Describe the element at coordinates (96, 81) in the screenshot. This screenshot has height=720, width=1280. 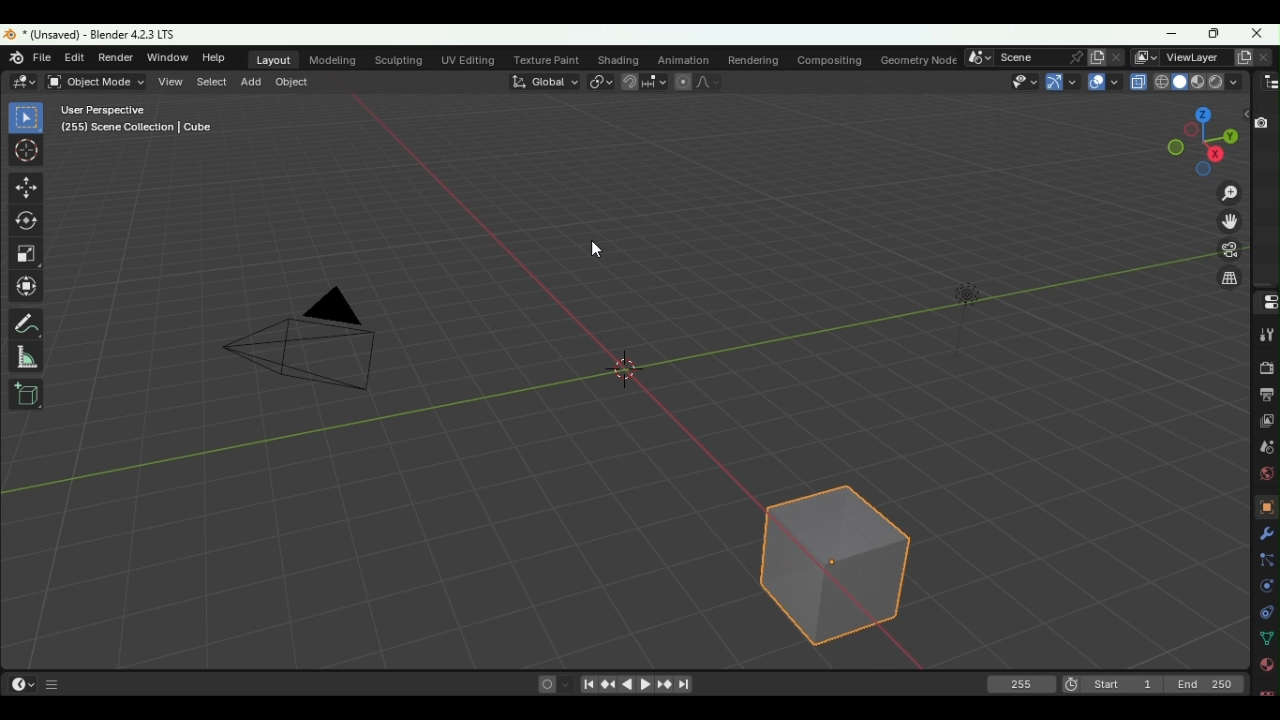
I see `Set the object interaction mode` at that location.